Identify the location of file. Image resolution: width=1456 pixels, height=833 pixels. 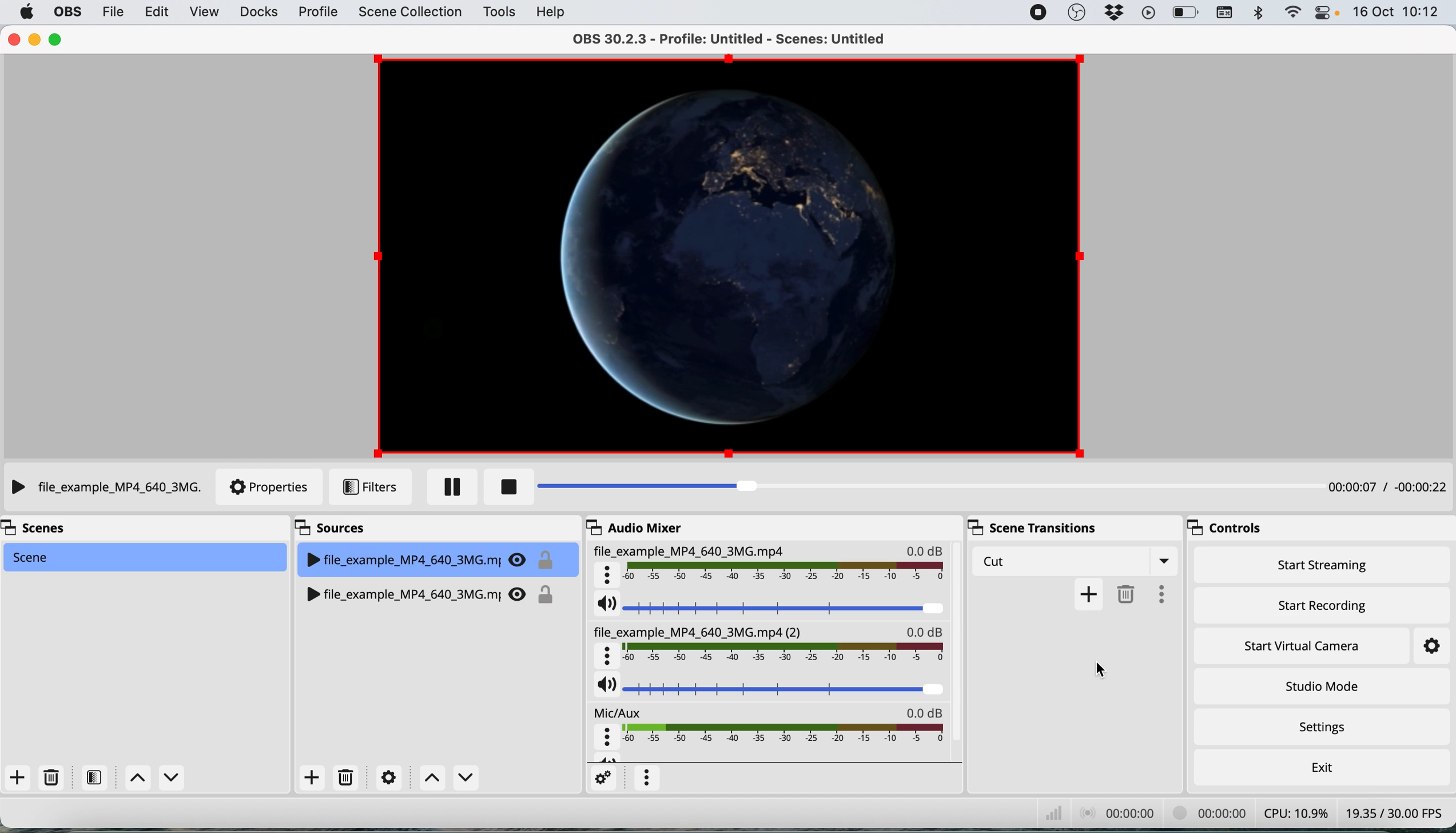
(117, 11).